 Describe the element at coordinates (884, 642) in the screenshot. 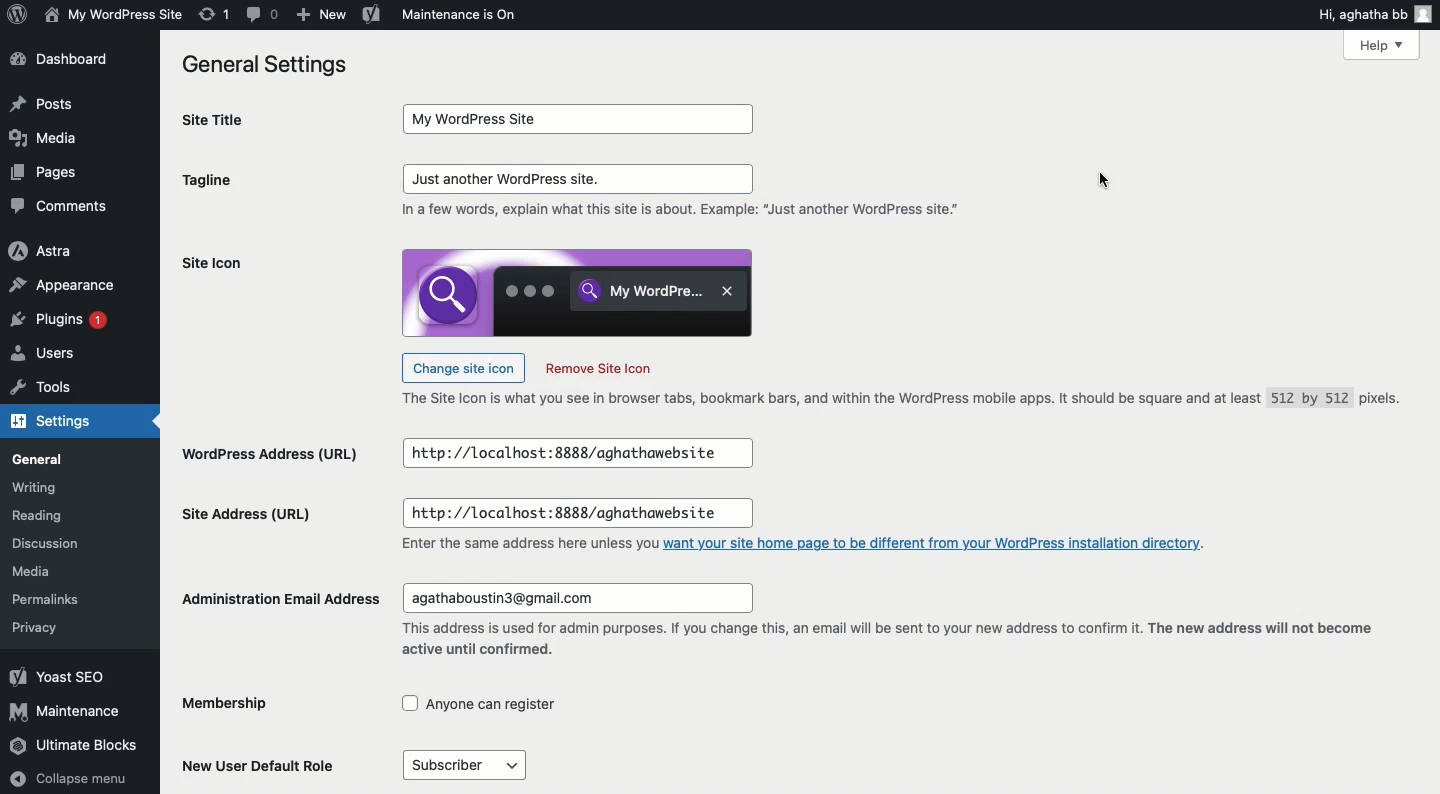

I see `text` at that location.